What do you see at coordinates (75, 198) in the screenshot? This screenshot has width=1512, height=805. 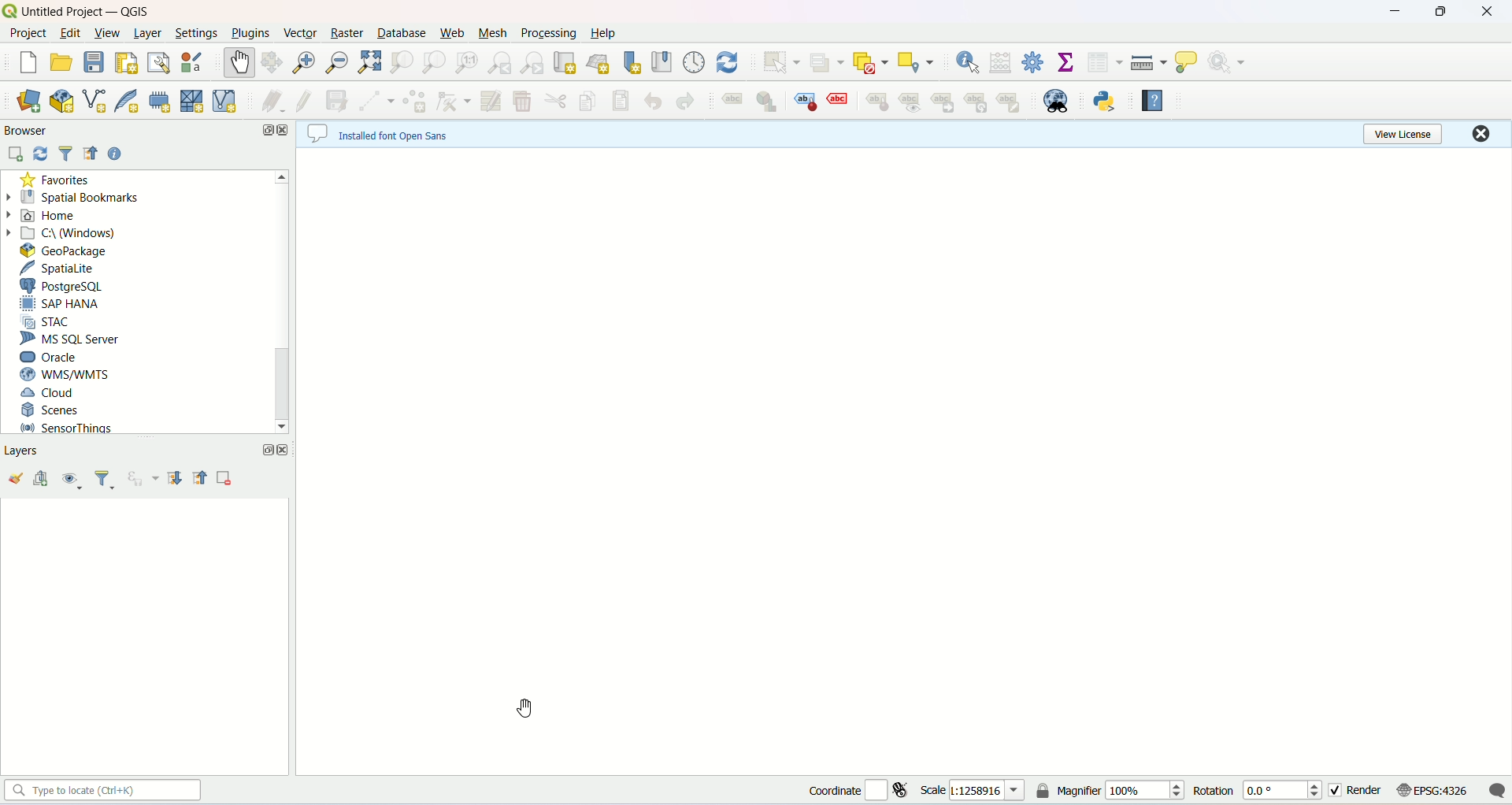 I see `spatial bookmarks` at bounding box center [75, 198].